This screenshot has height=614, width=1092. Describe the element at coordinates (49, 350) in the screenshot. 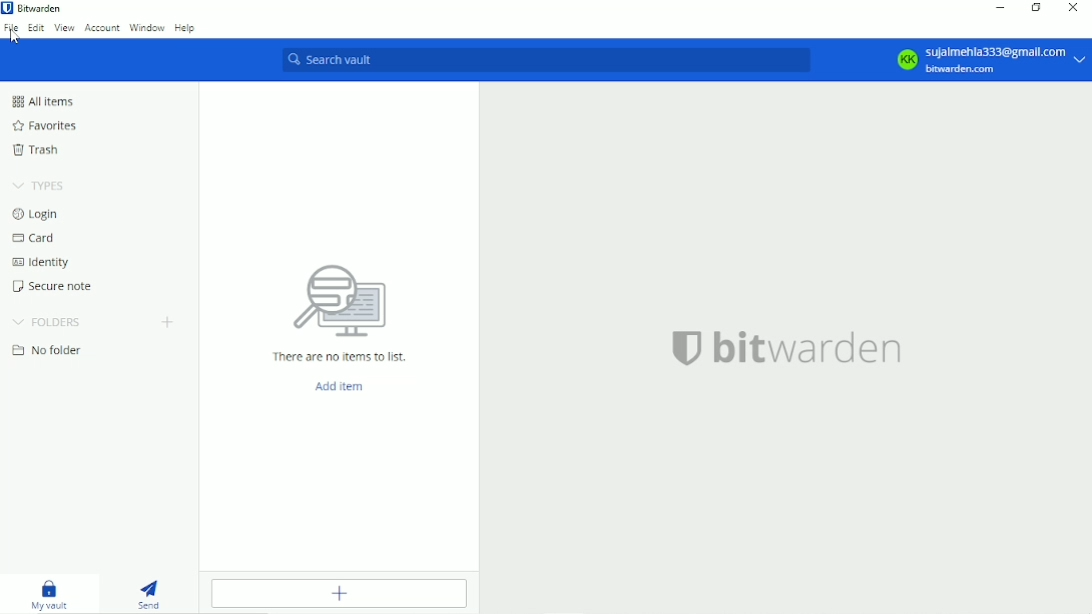

I see `No folder` at that location.